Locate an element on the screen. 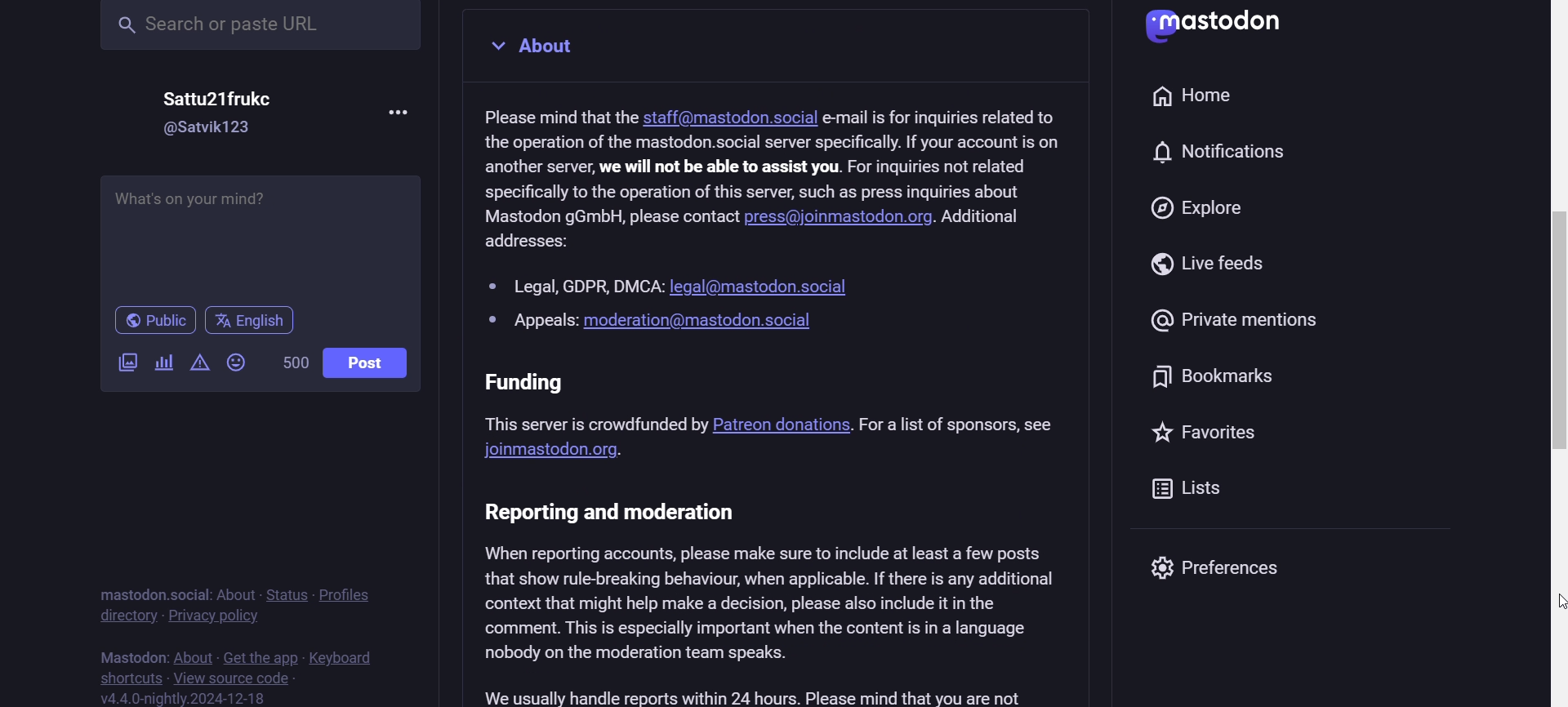 The width and height of the screenshot is (1568, 707). mastodon is located at coordinates (128, 652).